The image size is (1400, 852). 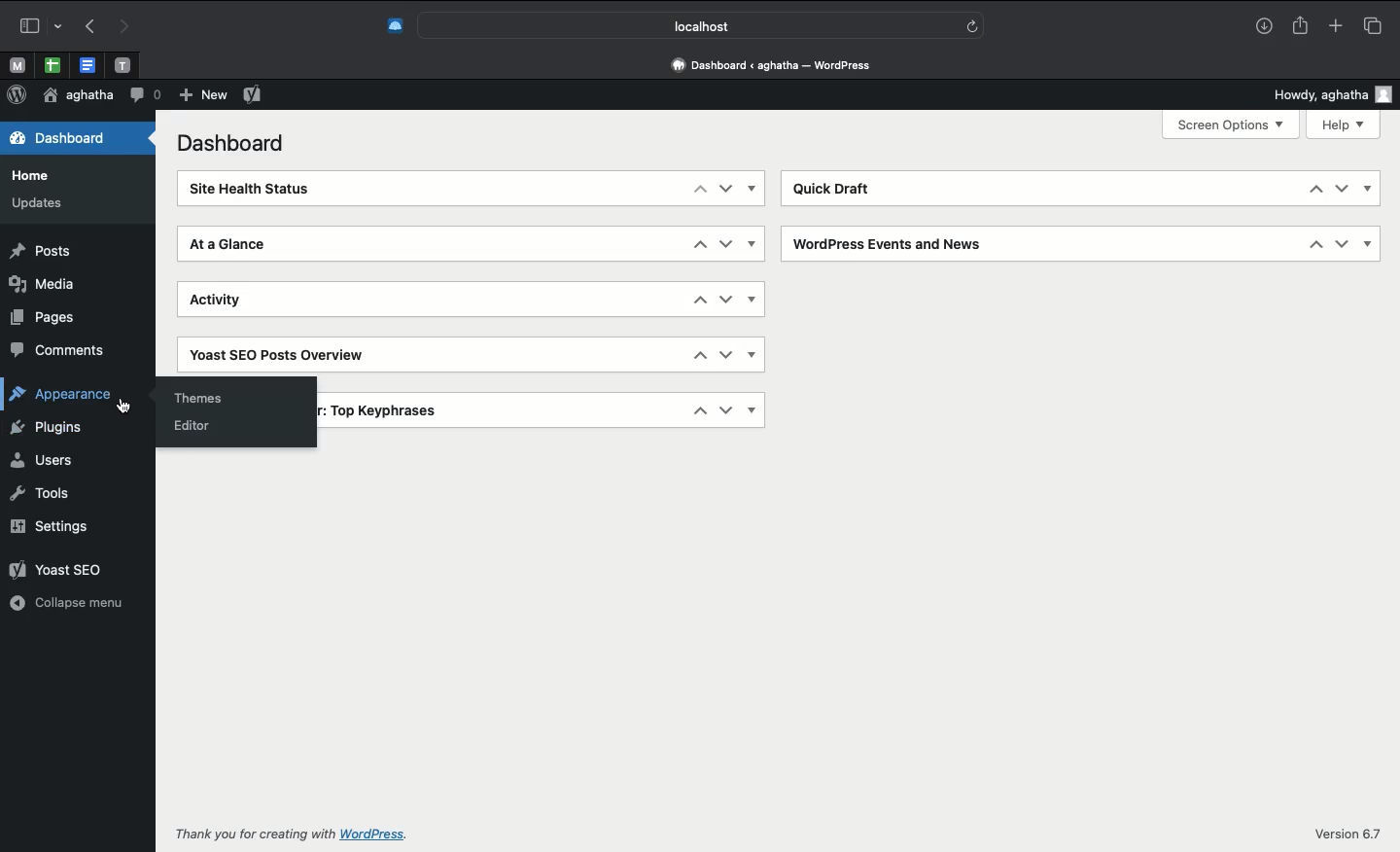 I want to click on Forward, so click(x=125, y=27).